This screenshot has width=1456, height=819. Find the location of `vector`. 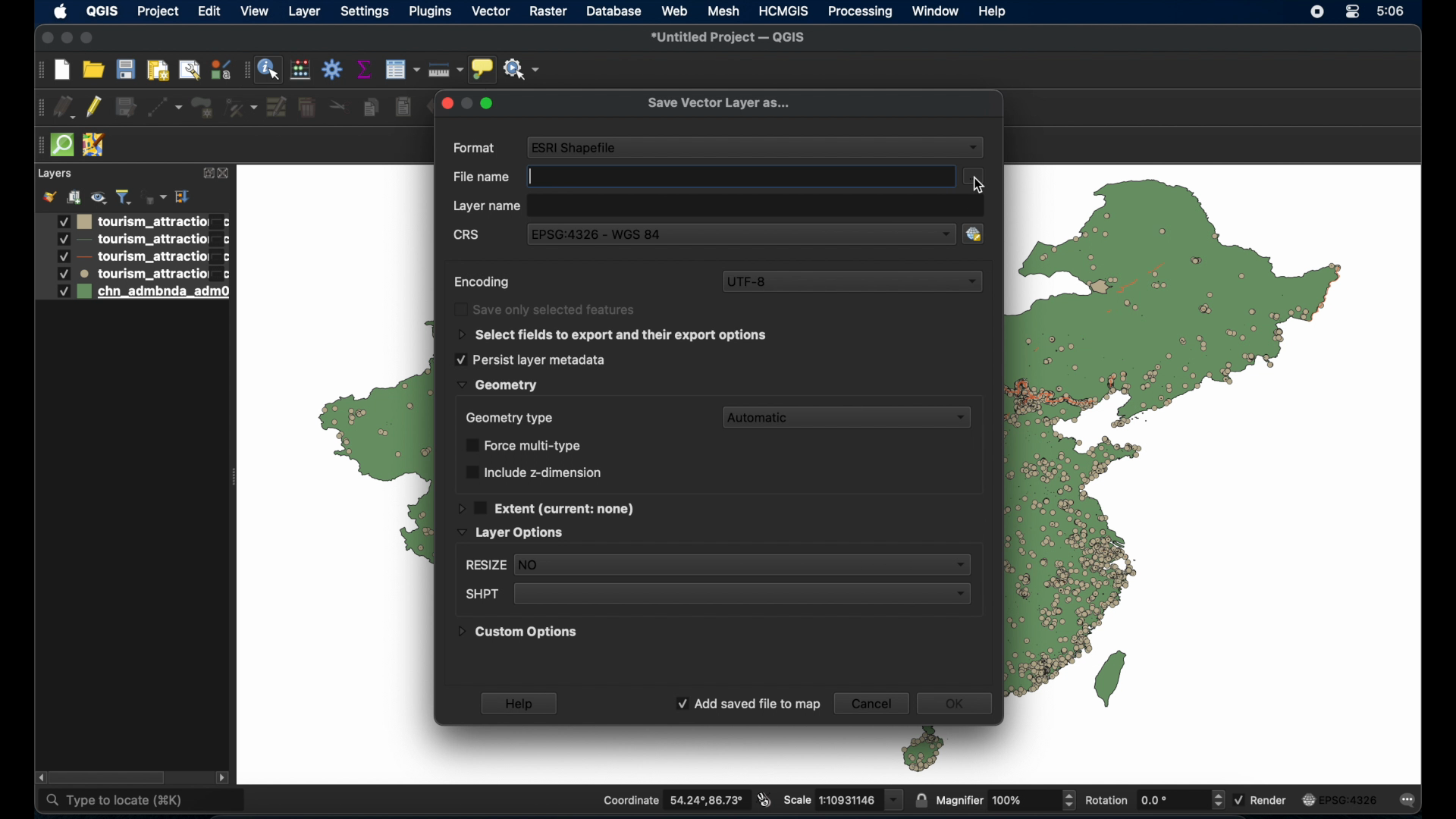

vector is located at coordinates (492, 12).